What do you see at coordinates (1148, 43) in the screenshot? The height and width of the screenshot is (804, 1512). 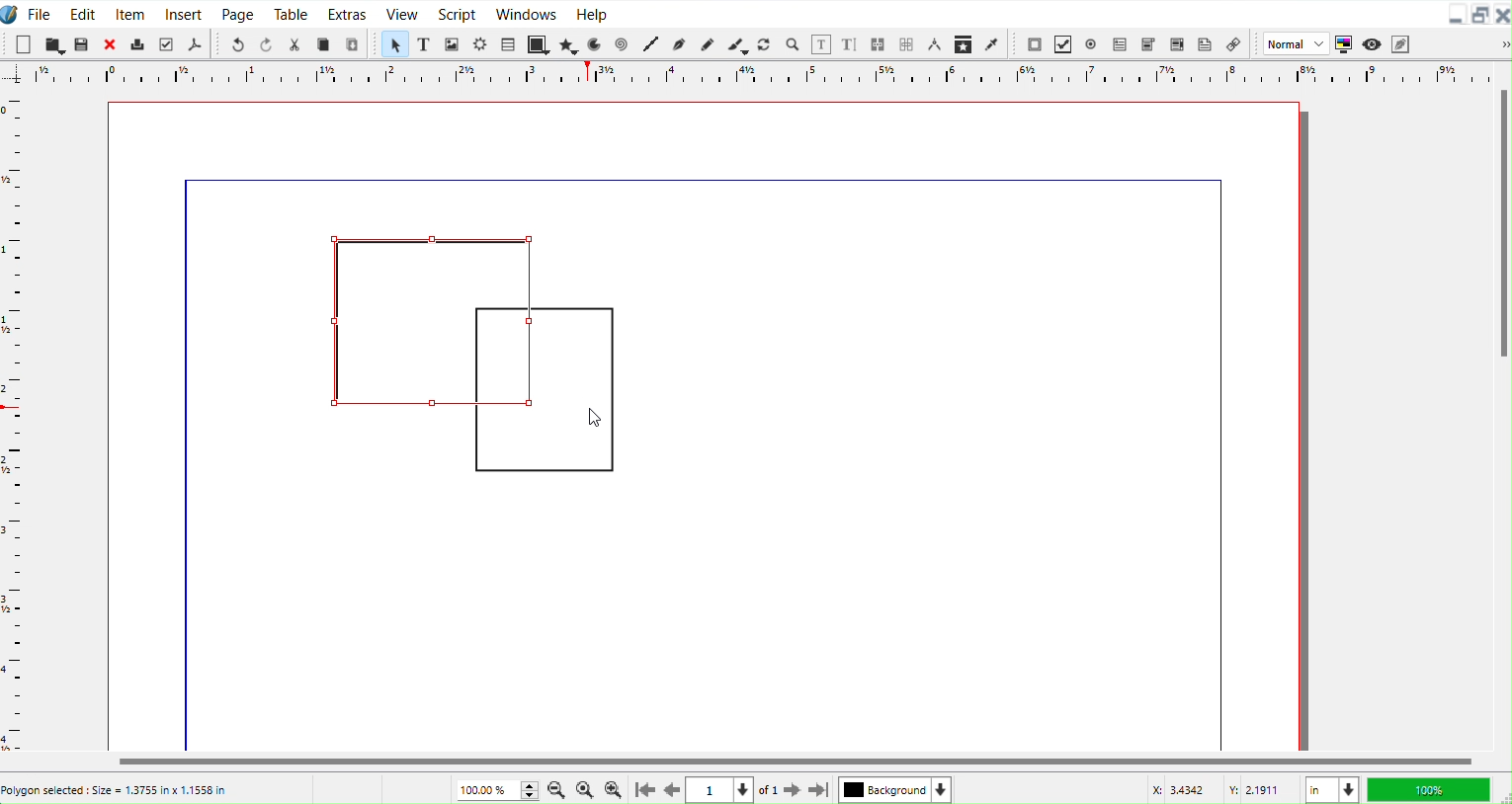 I see `PDF Combo Box` at bounding box center [1148, 43].